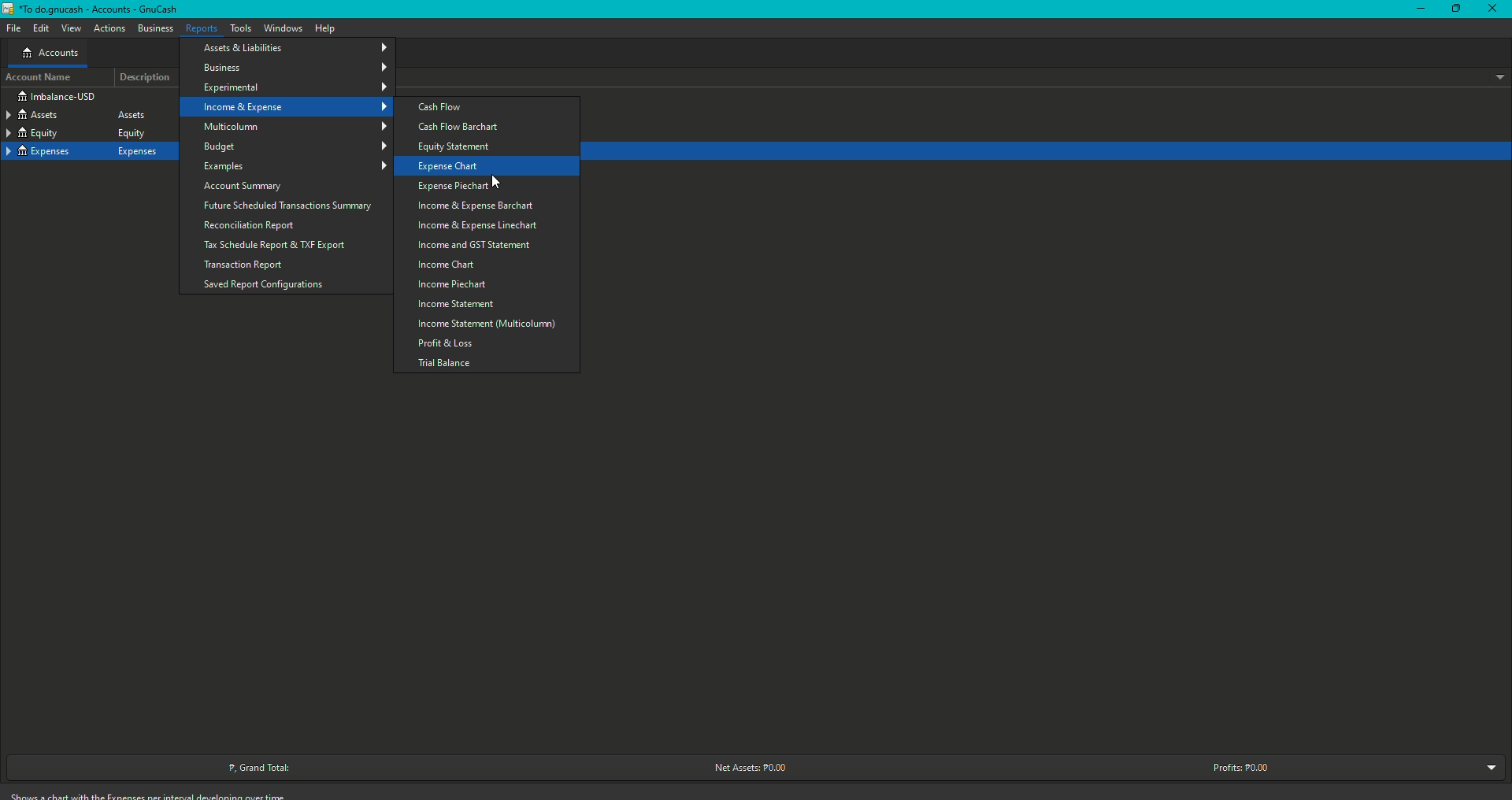 The width and height of the screenshot is (1512, 800). What do you see at coordinates (297, 67) in the screenshot?
I see `Business` at bounding box center [297, 67].